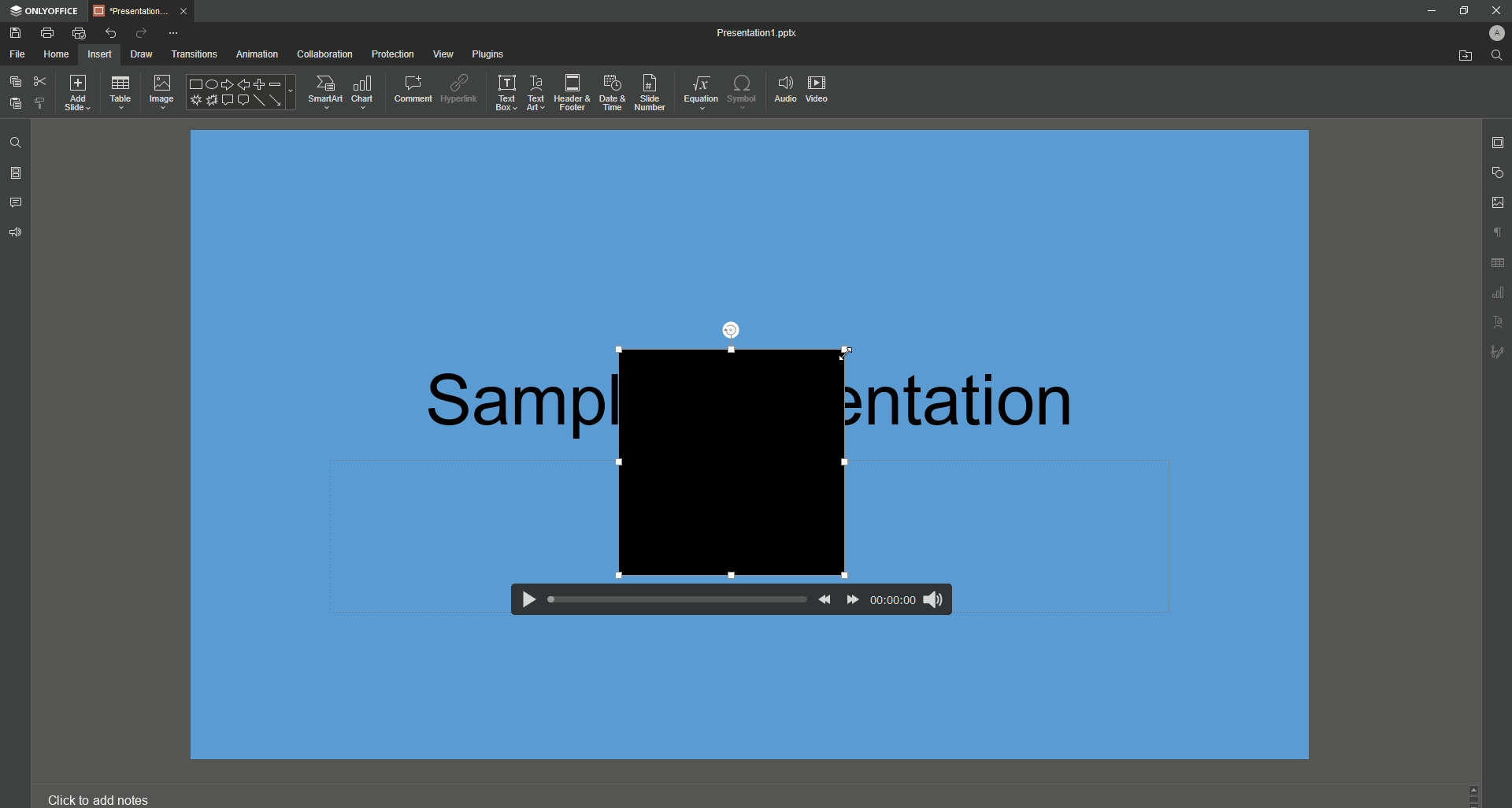 This screenshot has width=1512, height=808. Describe the element at coordinates (503, 92) in the screenshot. I see `Text Box` at that location.